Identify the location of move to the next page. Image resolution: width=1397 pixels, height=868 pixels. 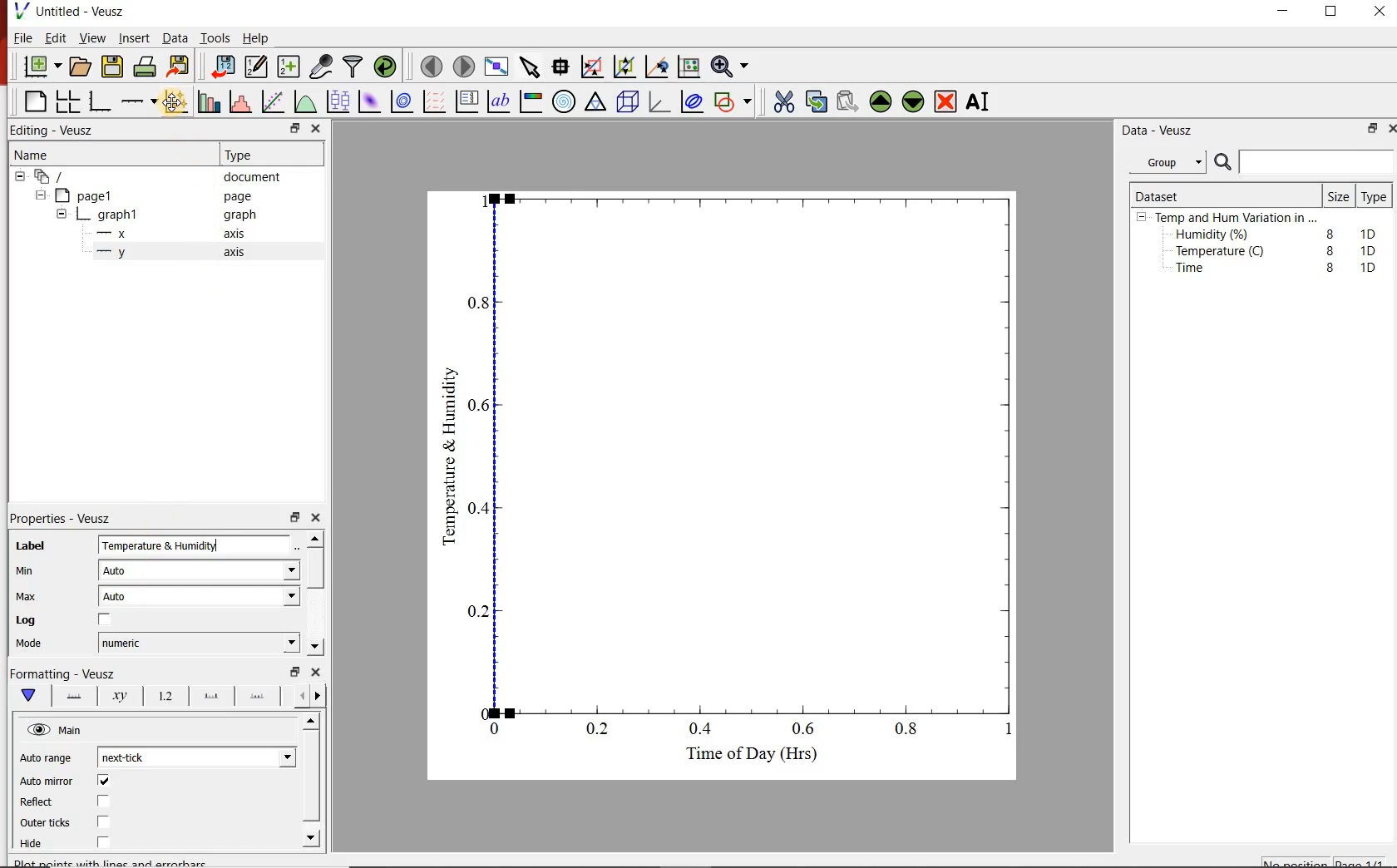
(463, 66).